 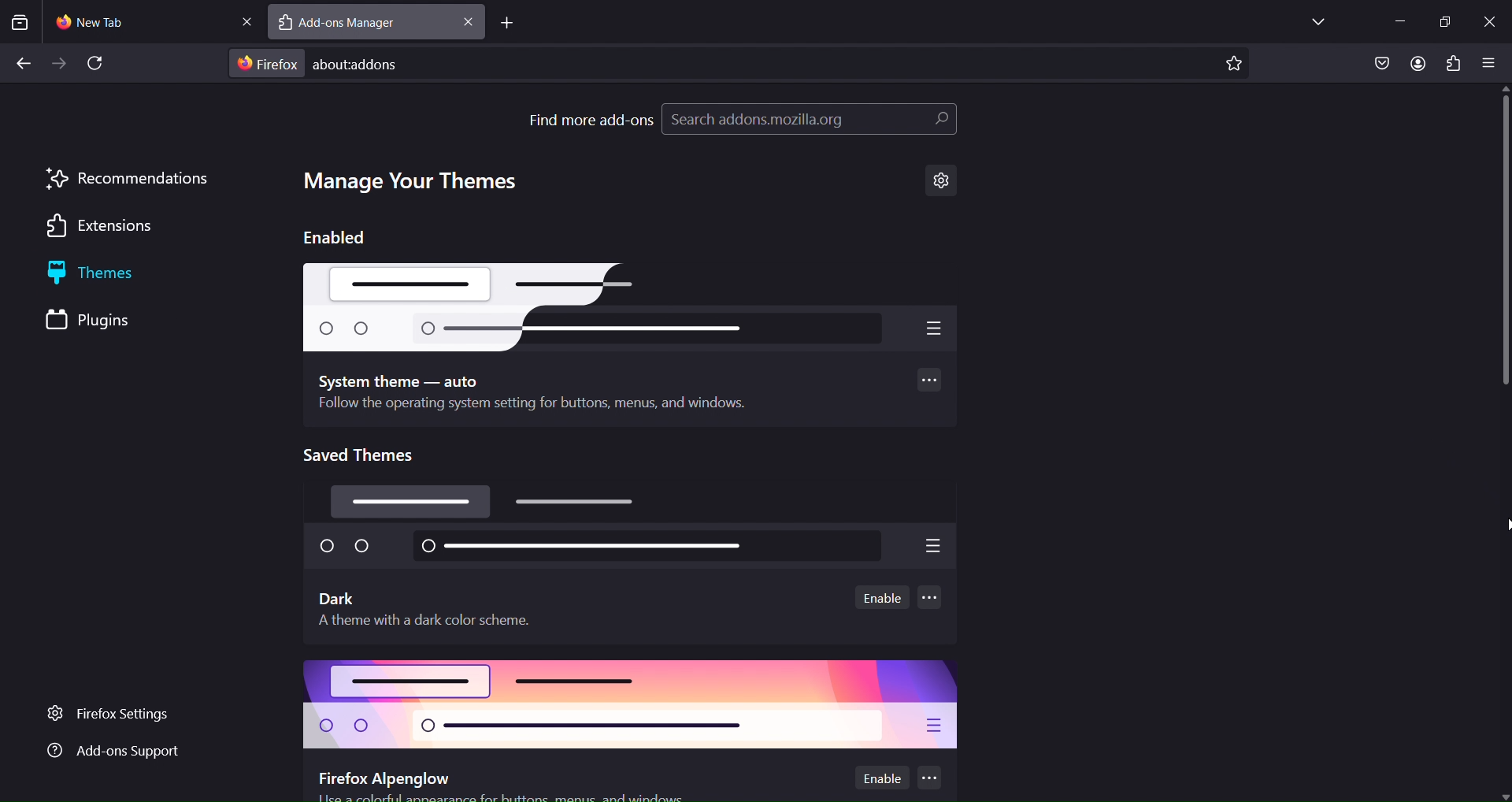 What do you see at coordinates (931, 600) in the screenshot?
I see `...` at bounding box center [931, 600].